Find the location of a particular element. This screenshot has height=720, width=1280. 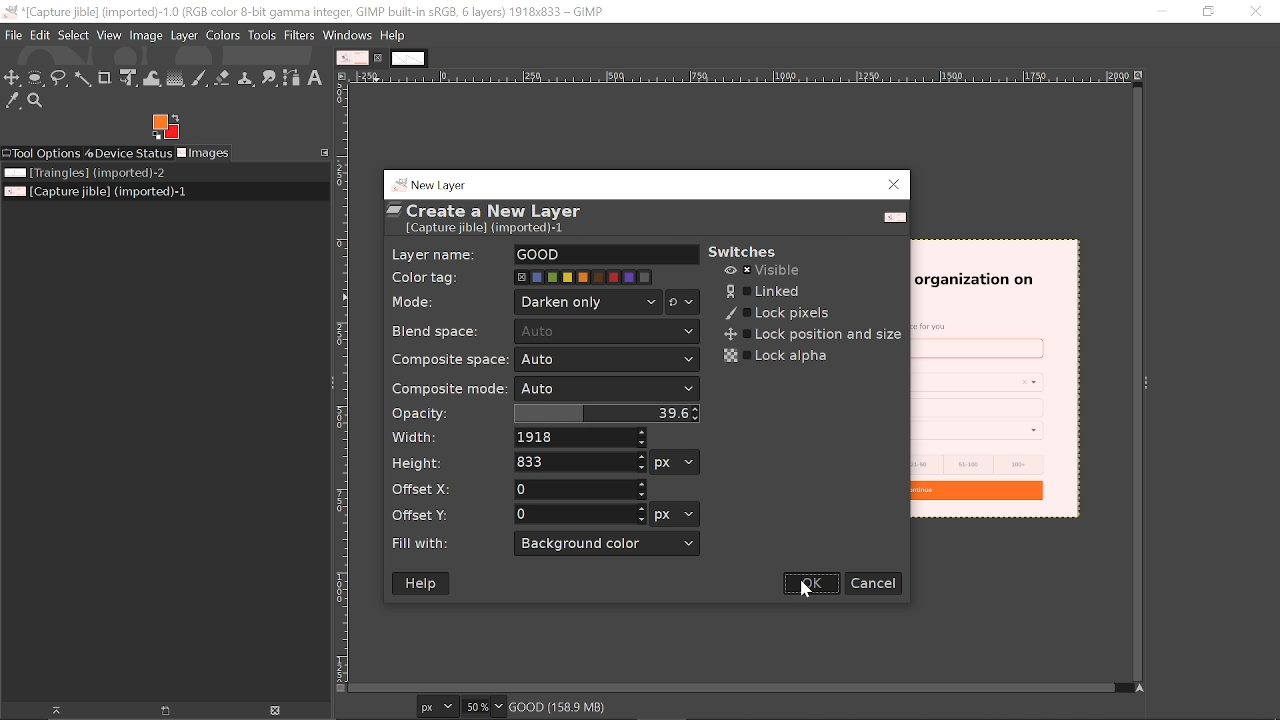

Smudge tool is located at coordinates (270, 78).